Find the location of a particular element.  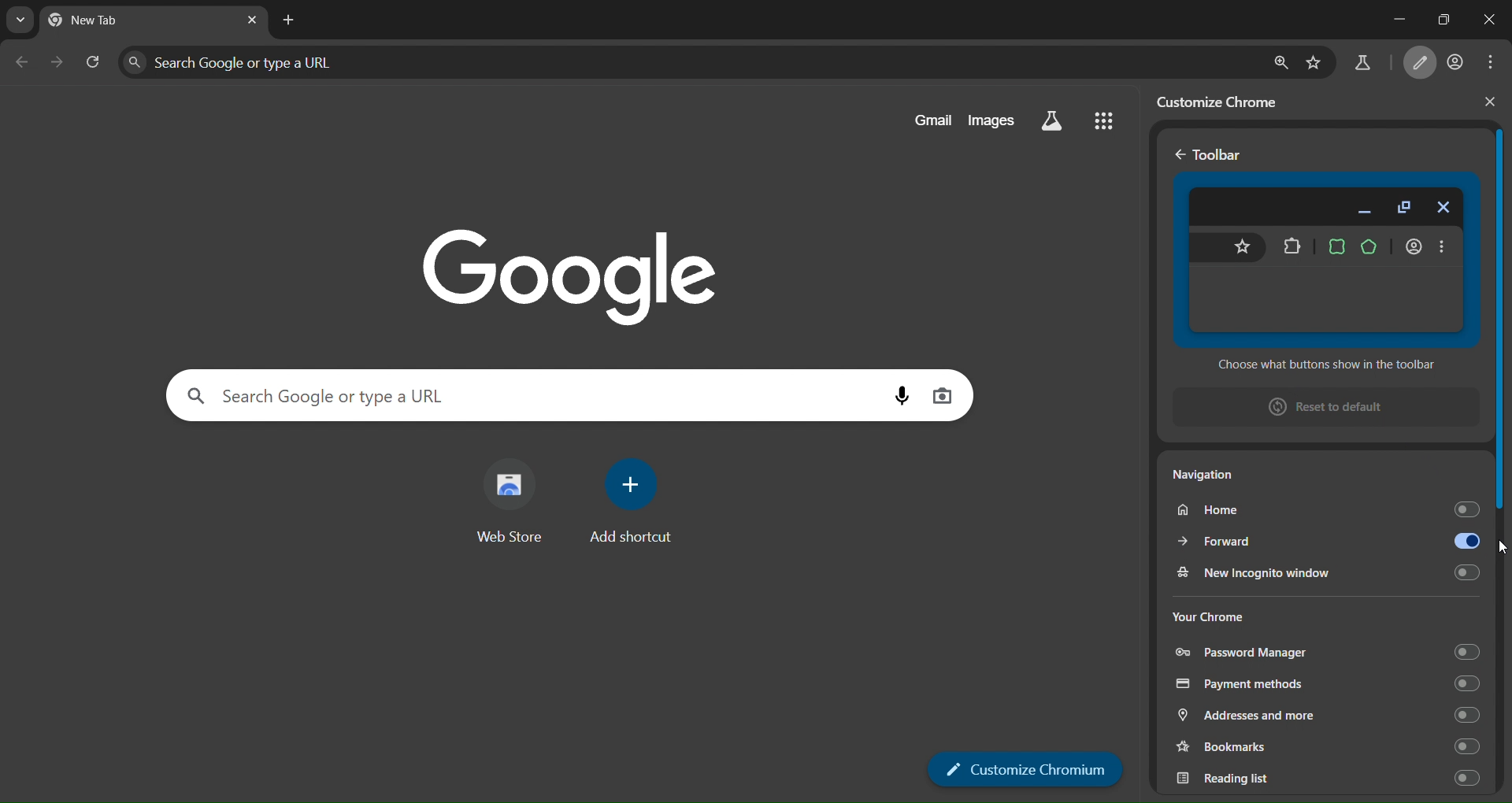

home is located at coordinates (1326, 506).